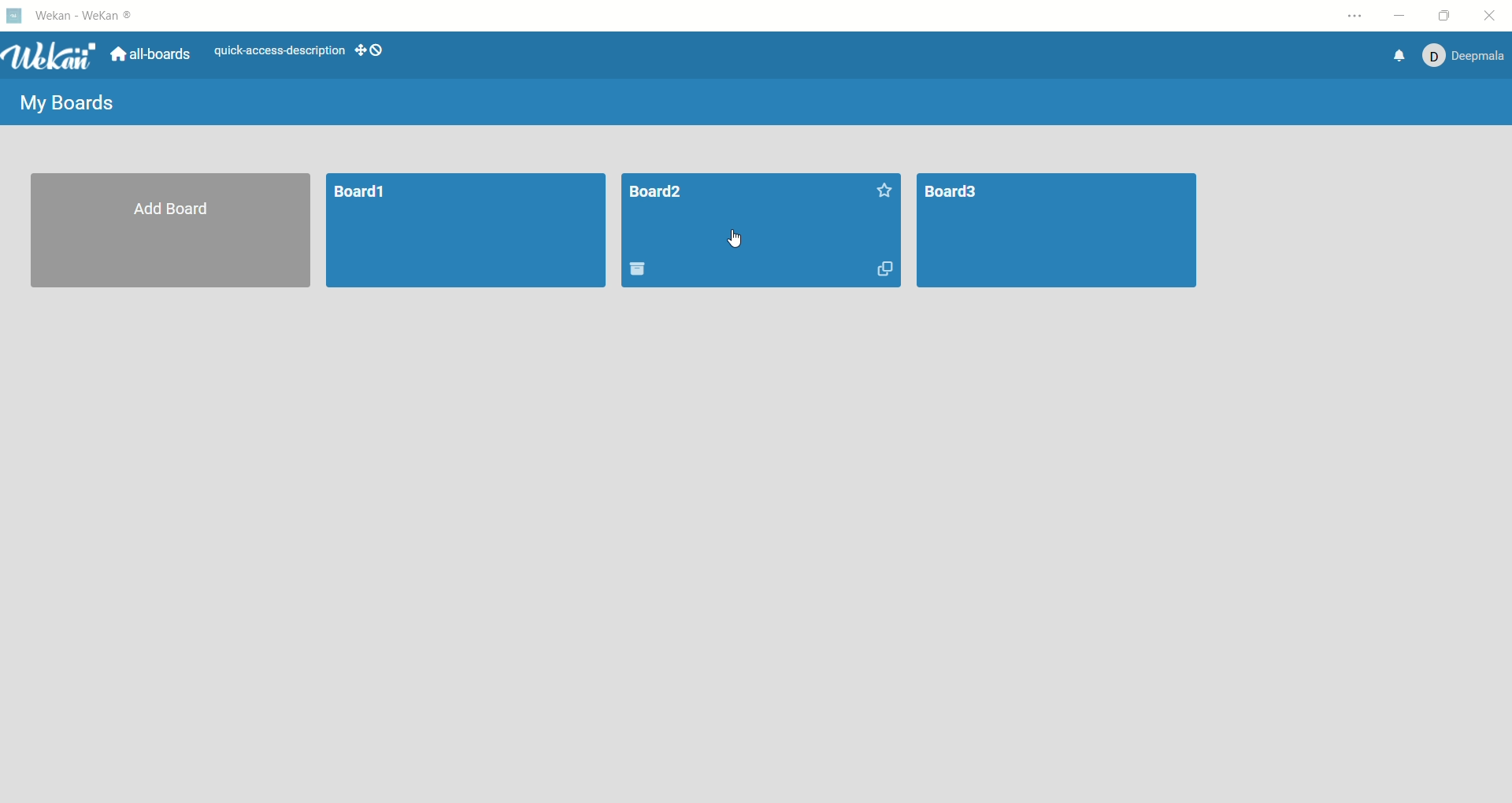 The height and width of the screenshot is (803, 1512). Describe the element at coordinates (53, 56) in the screenshot. I see `wekan` at that location.